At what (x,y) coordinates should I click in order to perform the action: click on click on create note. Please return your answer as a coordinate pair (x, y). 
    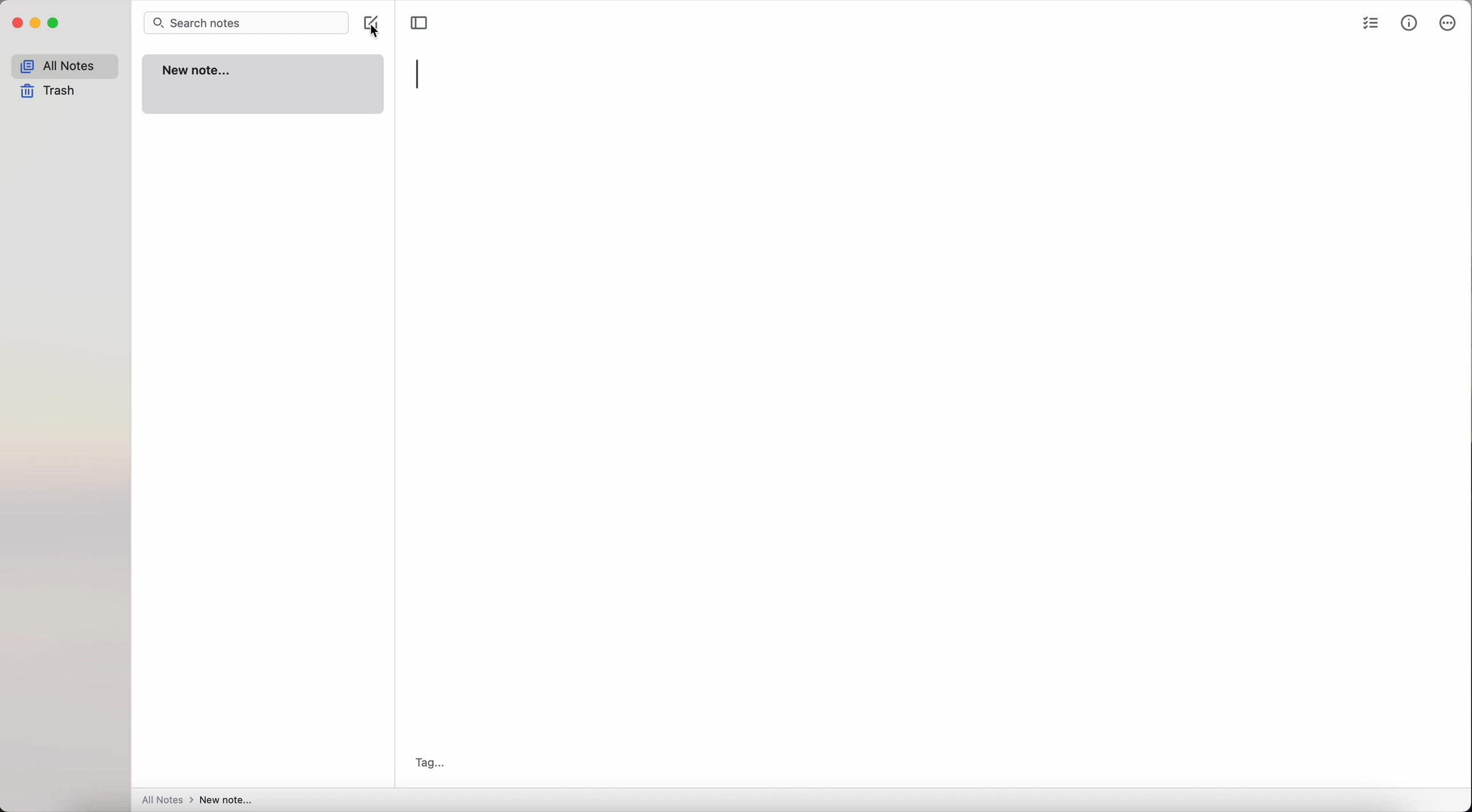
    Looking at the image, I should click on (374, 26).